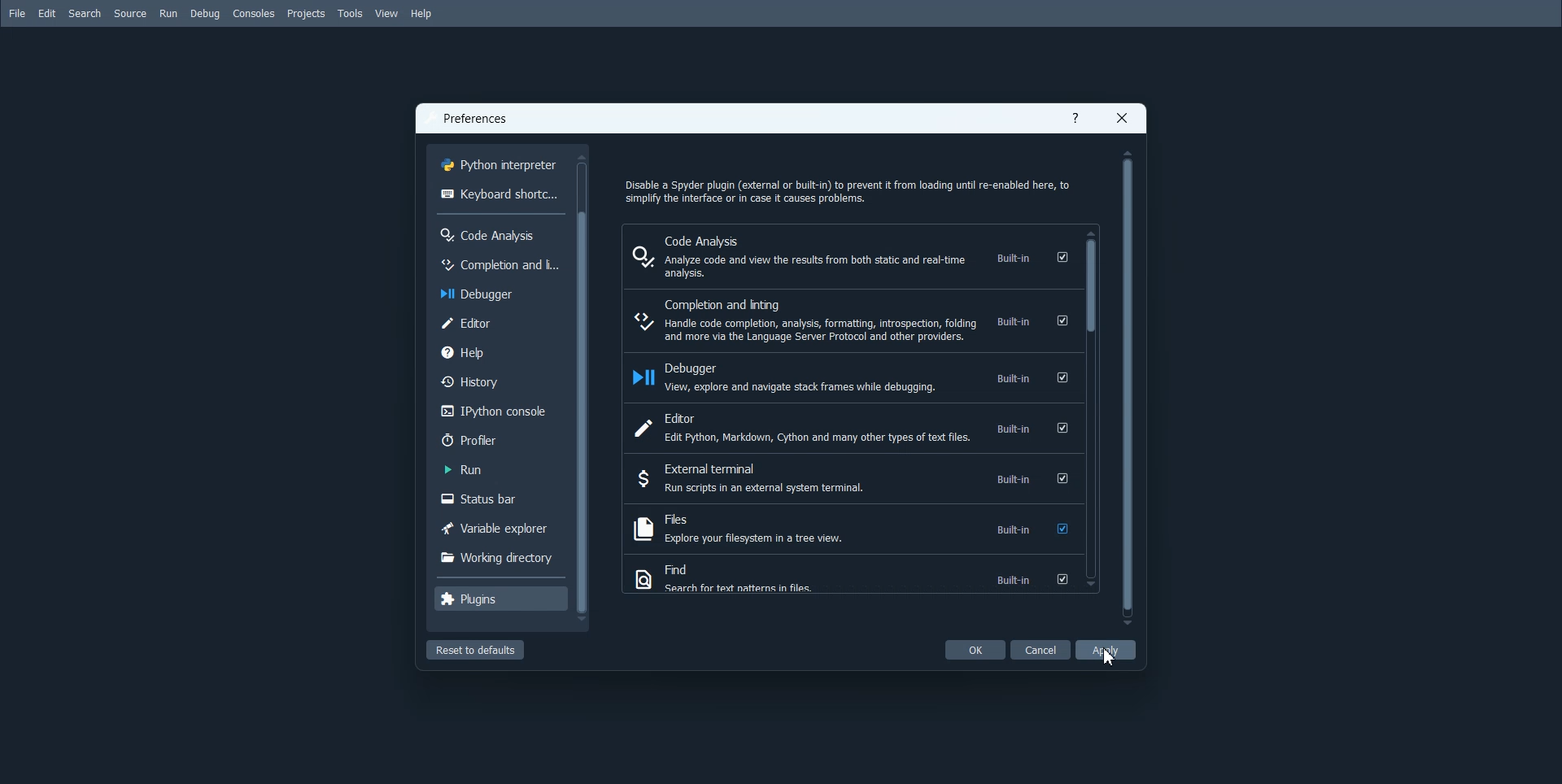  Describe the element at coordinates (253, 14) in the screenshot. I see `Consoles` at that location.